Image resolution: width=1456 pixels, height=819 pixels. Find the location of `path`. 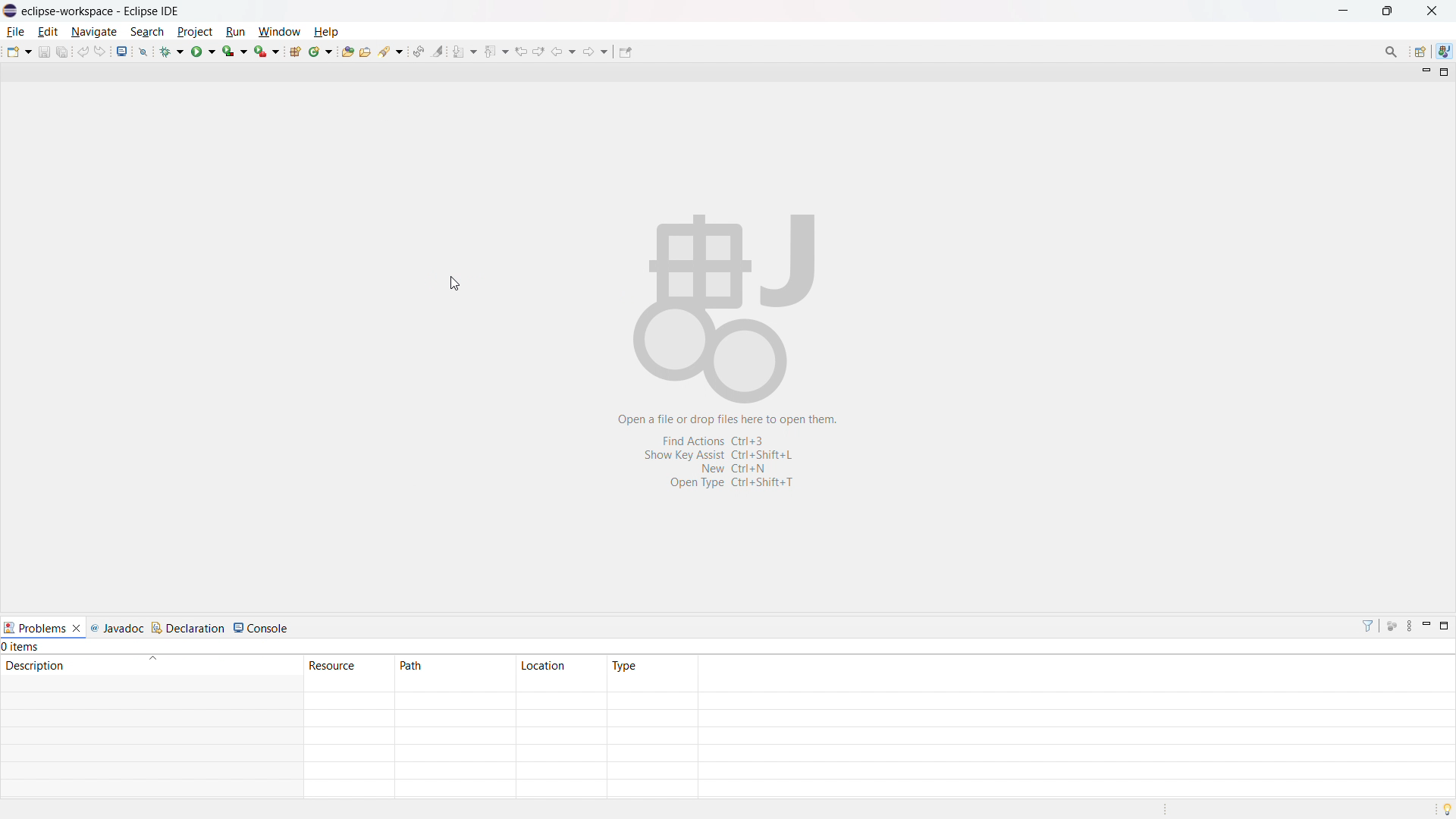

path is located at coordinates (454, 664).